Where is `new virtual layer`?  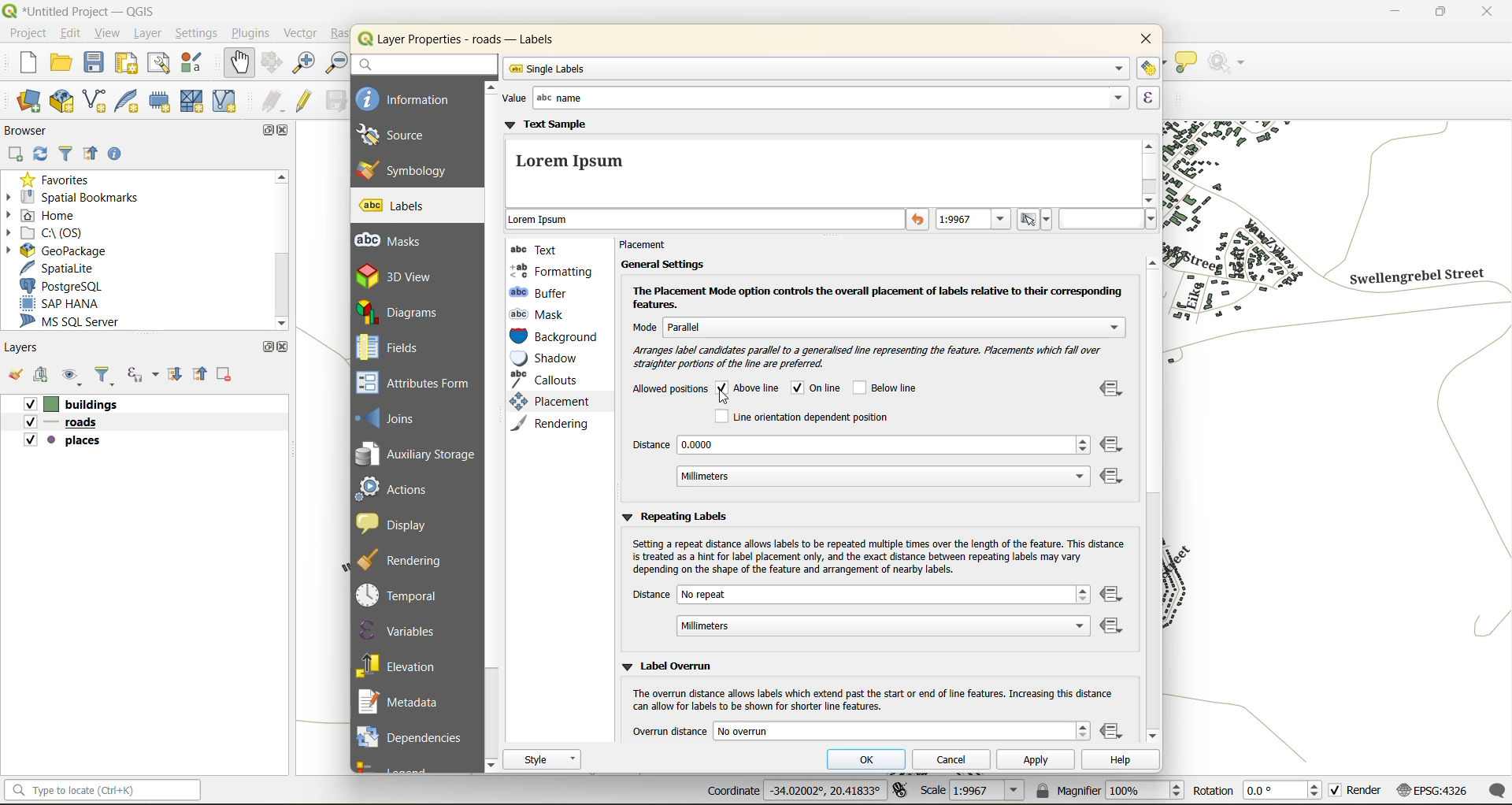 new virtual layer is located at coordinates (228, 102).